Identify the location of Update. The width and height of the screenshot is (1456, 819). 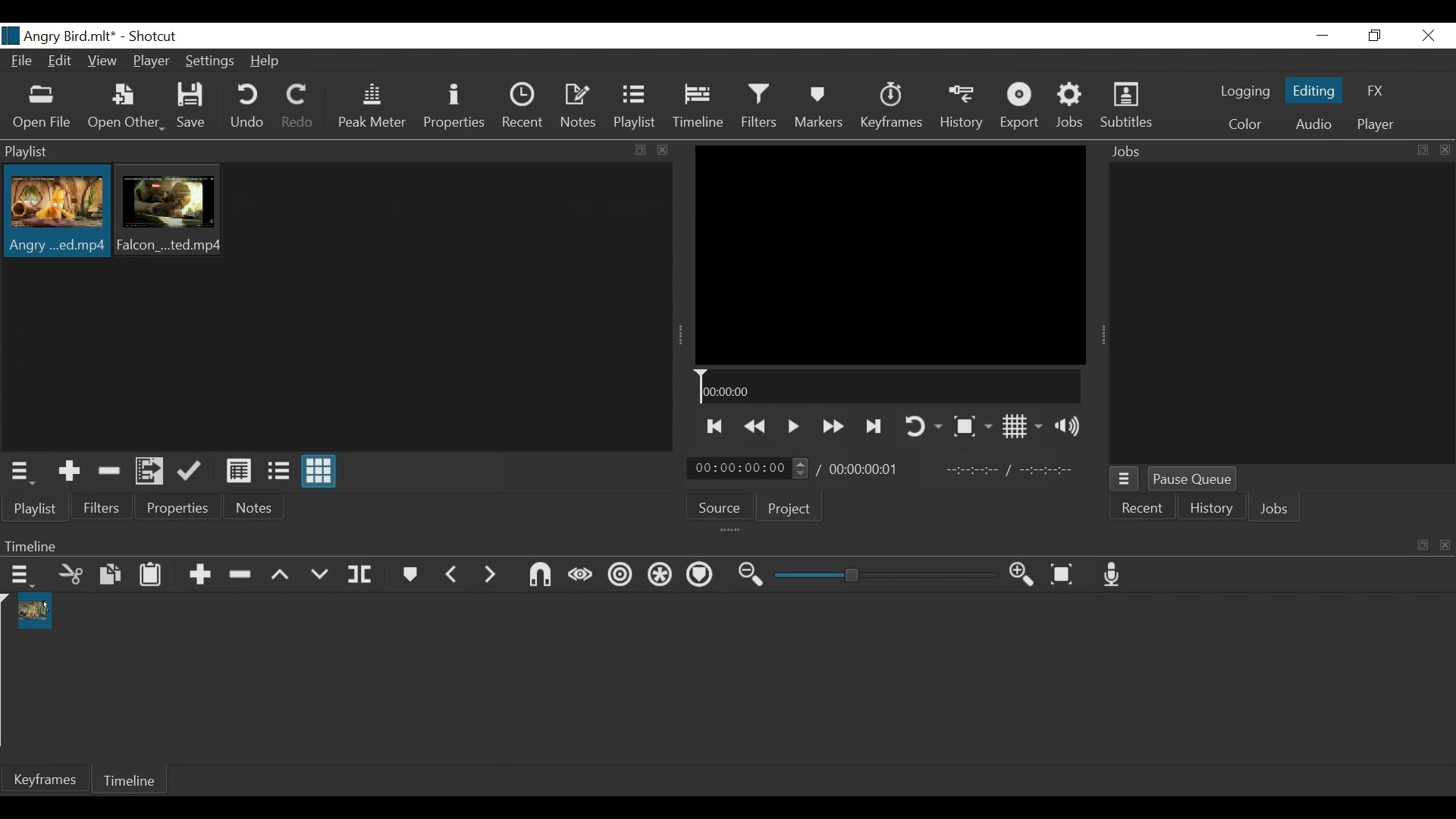
(193, 471).